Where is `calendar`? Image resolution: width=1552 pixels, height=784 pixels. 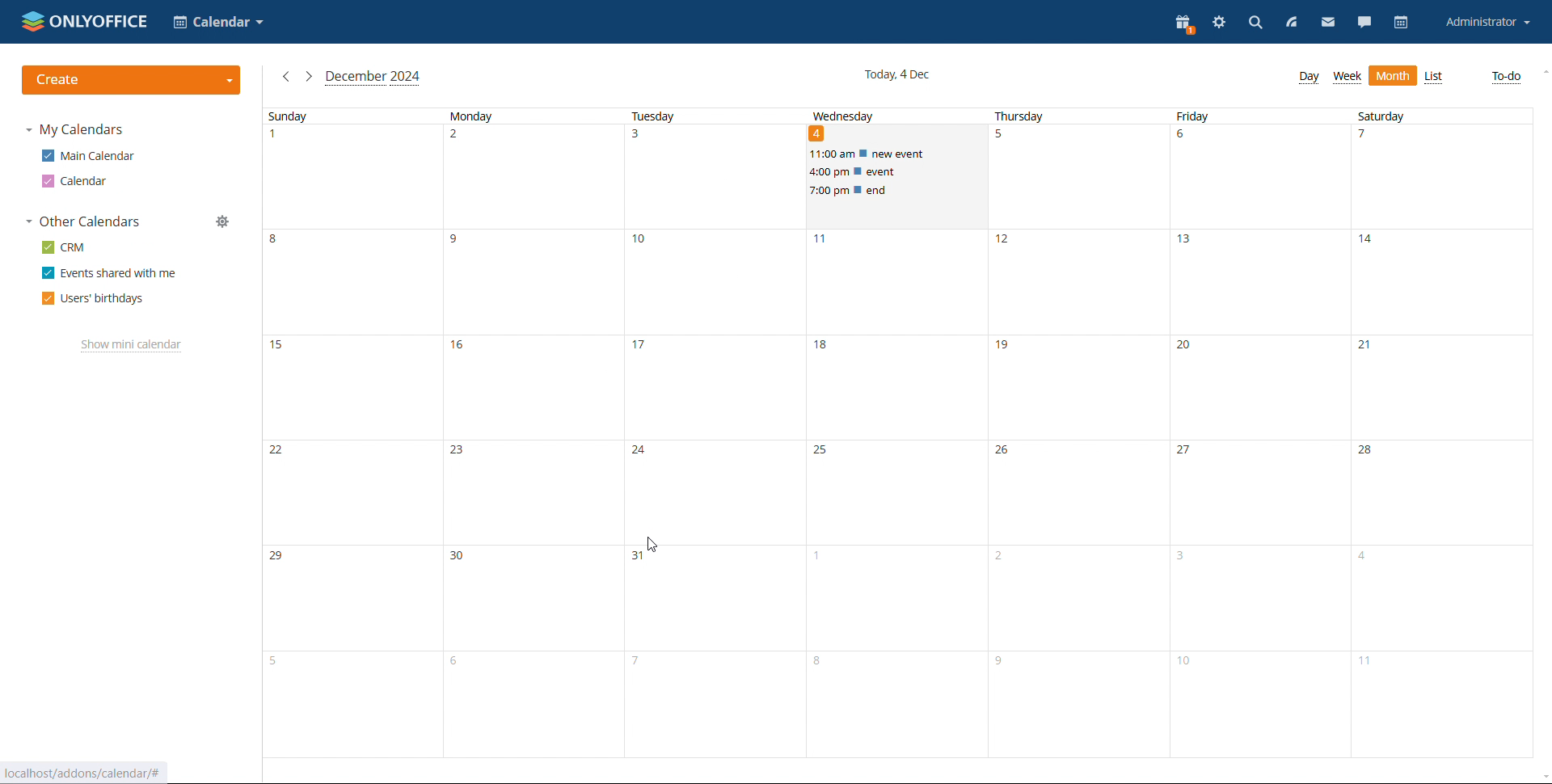
calendar is located at coordinates (1402, 23).